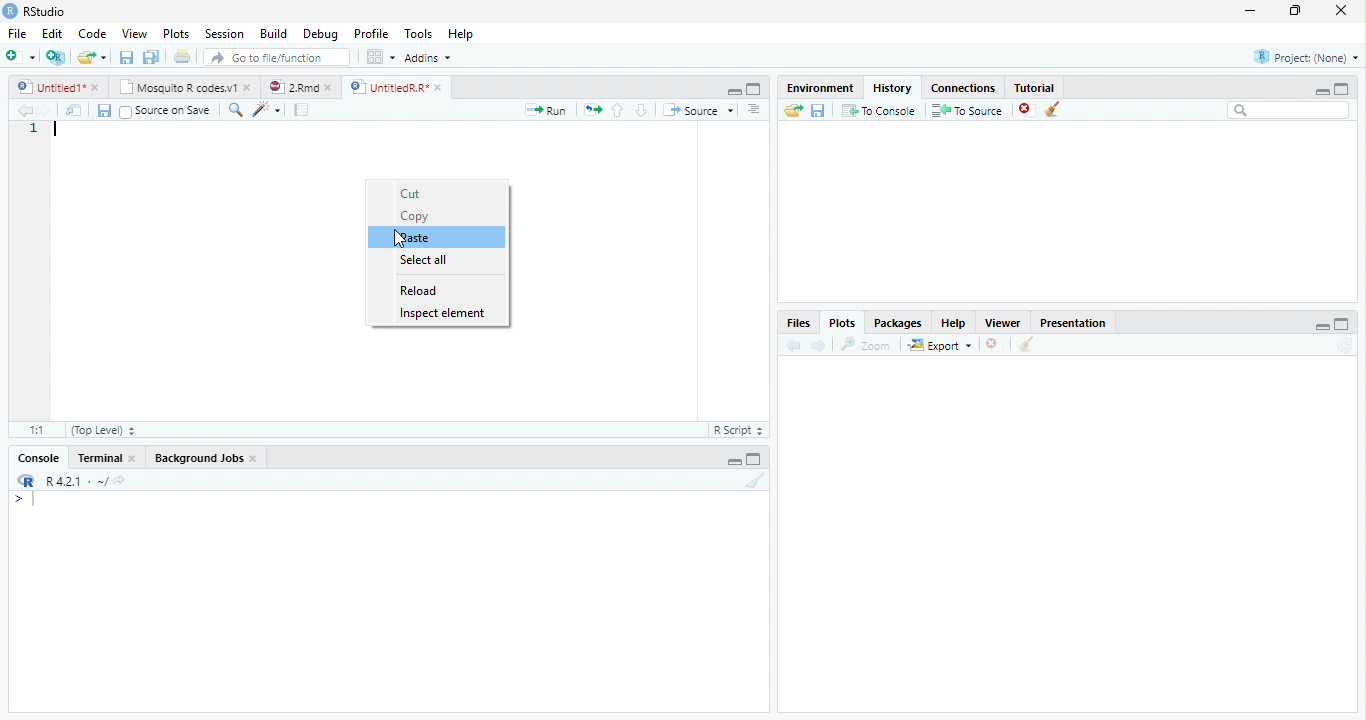 Image resolution: width=1366 pixels, height=720 pixels. I want to click on next, so click(52, 112).